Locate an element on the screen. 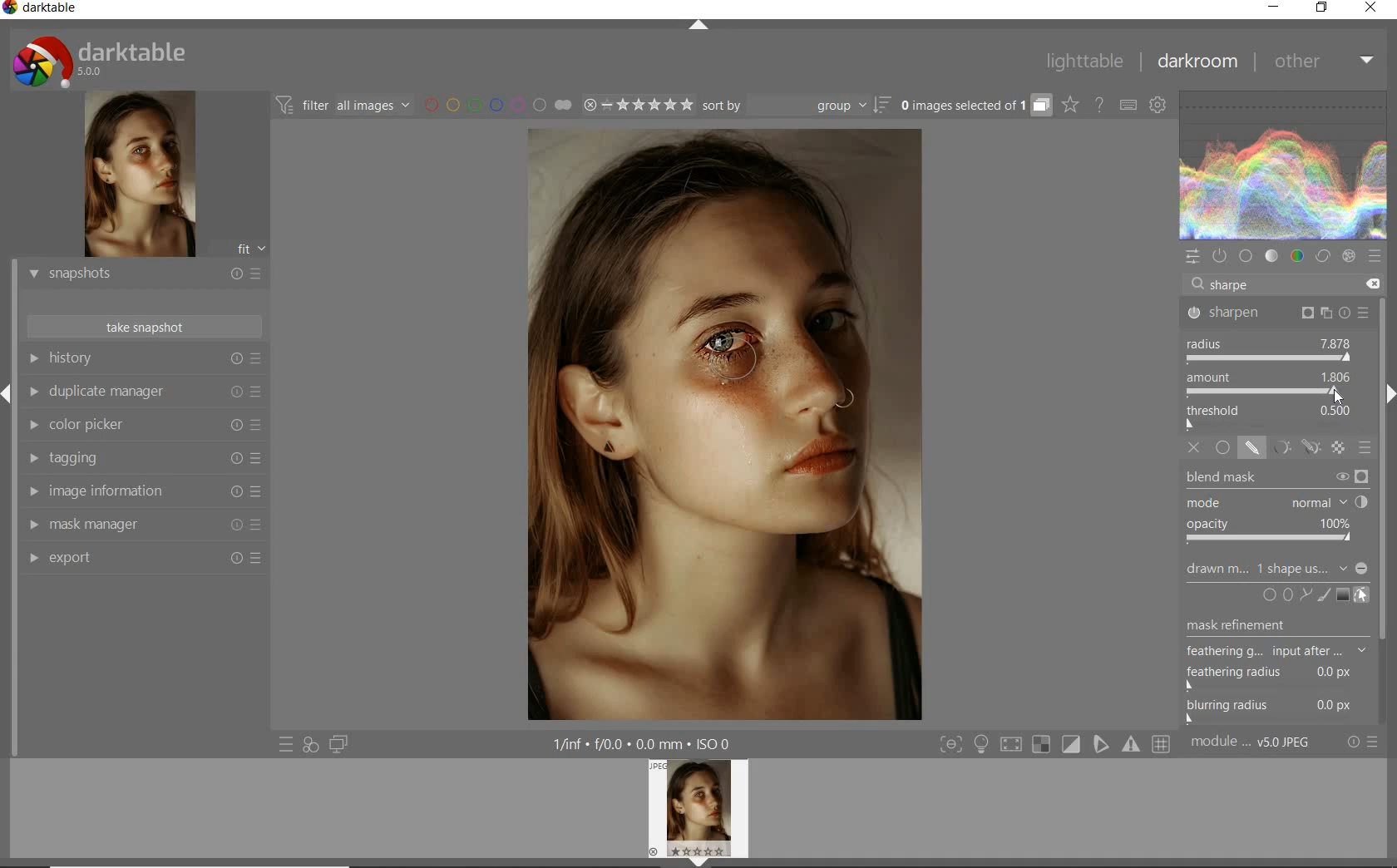  display a second darkroom image below is located at coordinates (336, 745).